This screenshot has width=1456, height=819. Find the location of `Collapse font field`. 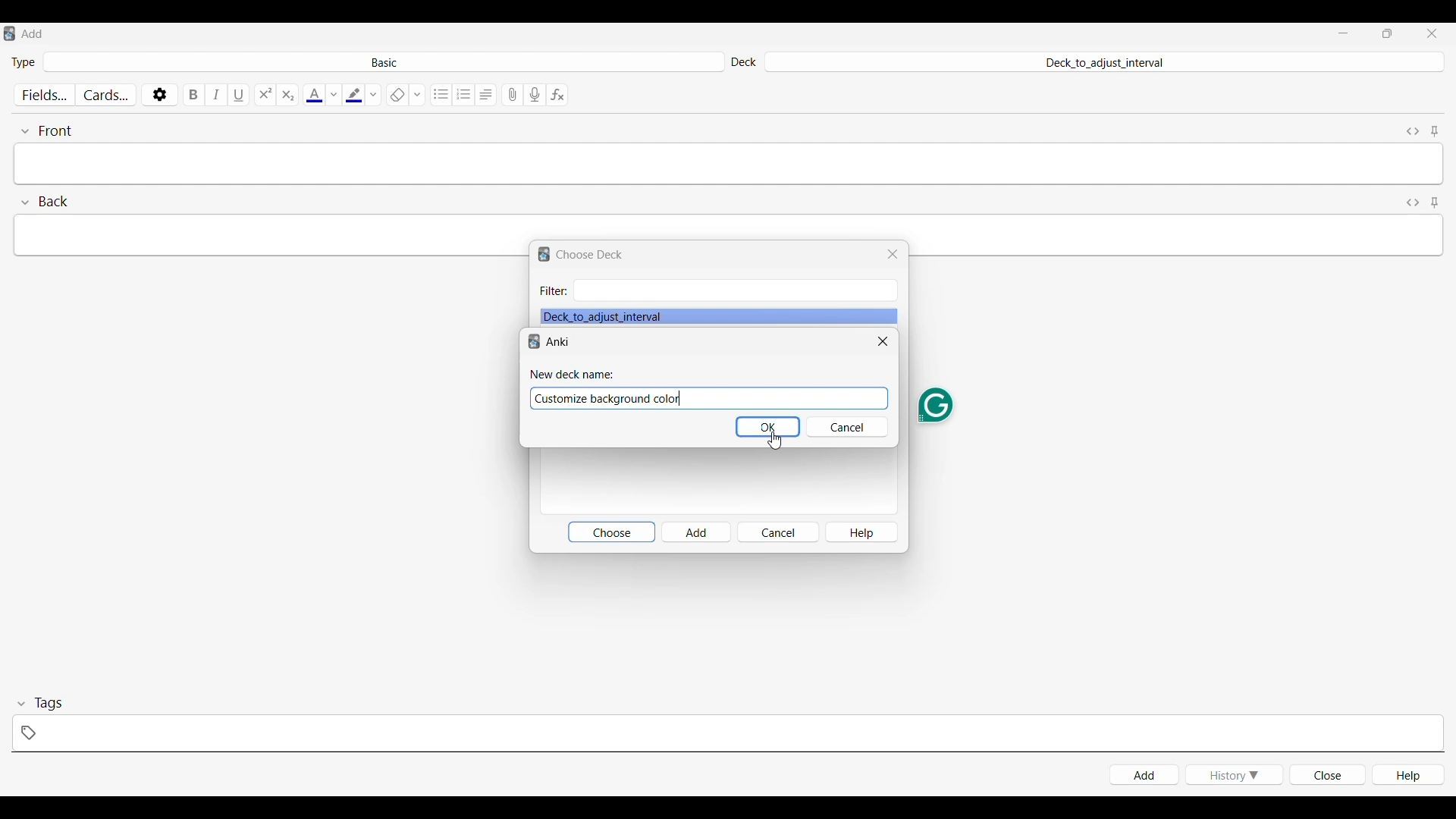

Collapse font field is located at coordinates (46, 131).